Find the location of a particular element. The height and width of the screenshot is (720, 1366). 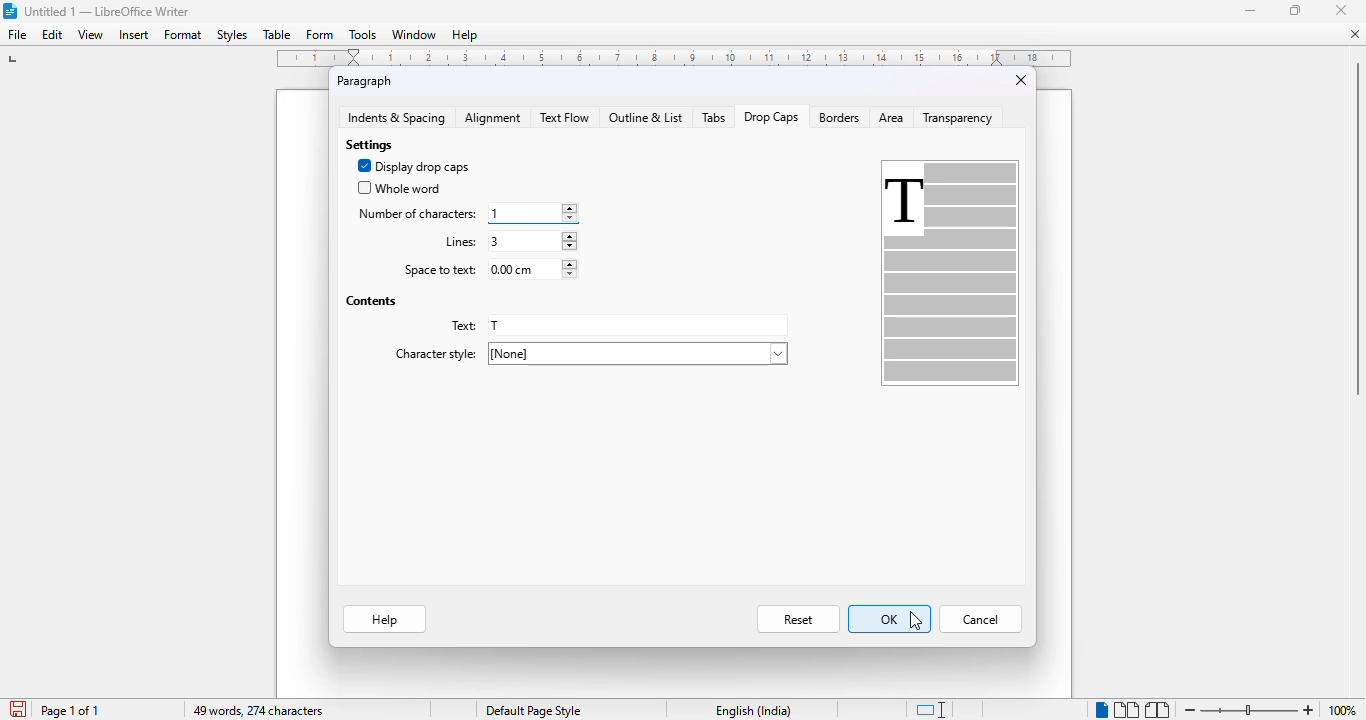

multi-page view is located at coordinates (1126, 710).